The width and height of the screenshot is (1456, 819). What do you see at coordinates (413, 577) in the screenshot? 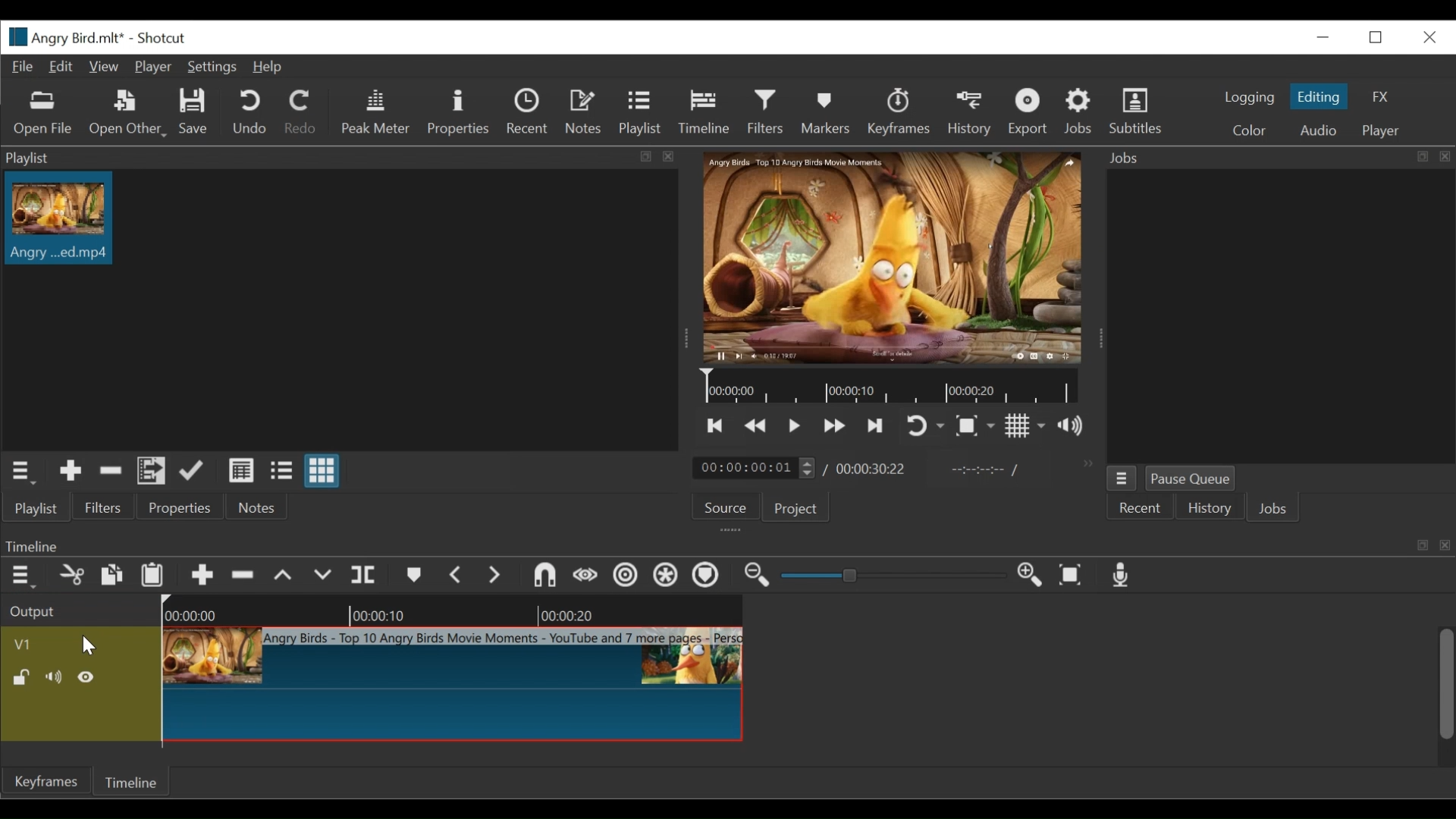
I see `Markers` at bounding box center [413, 577].